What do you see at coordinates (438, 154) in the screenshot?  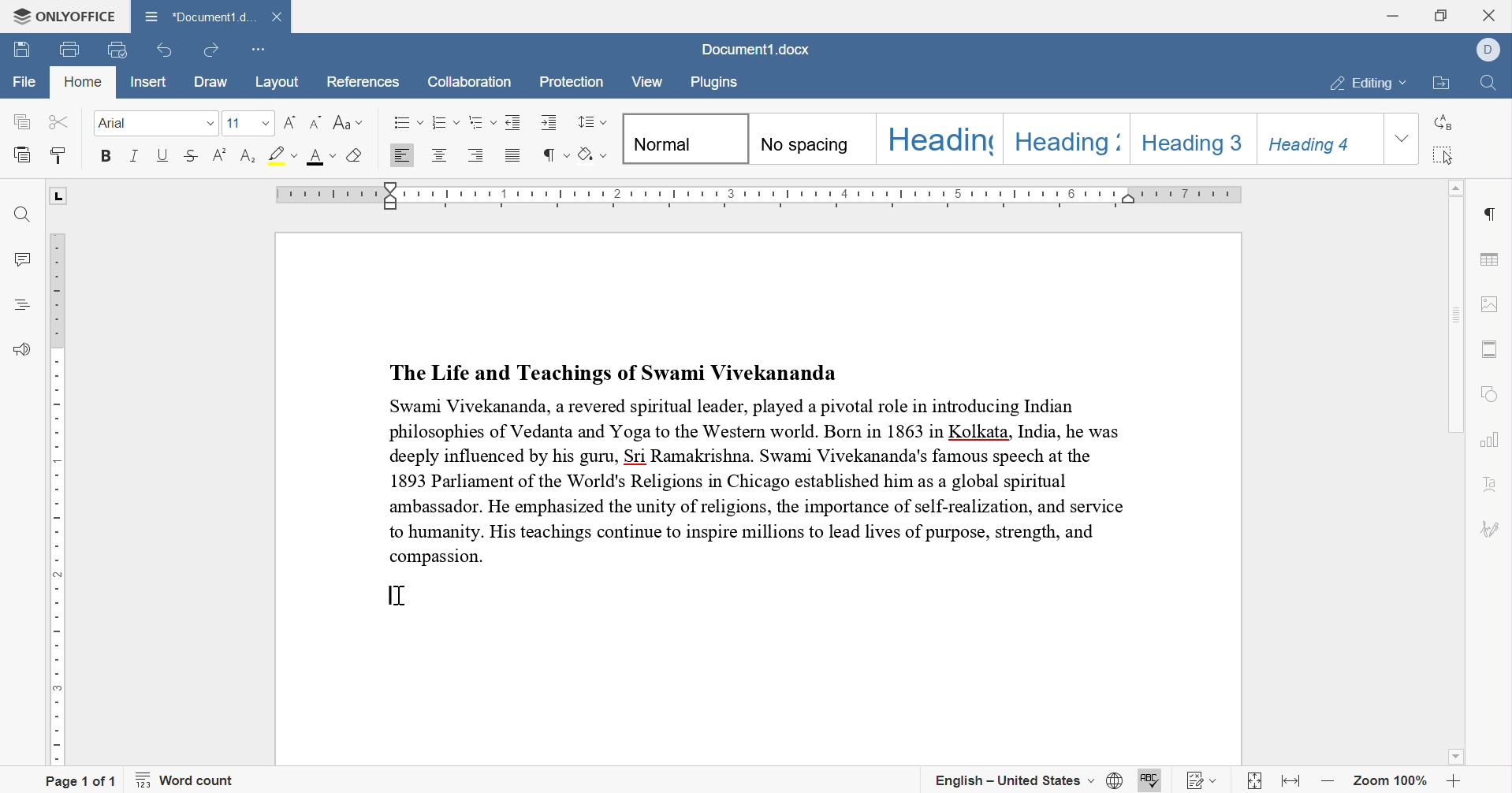 I see `align center` at bounding box center [438, 154].